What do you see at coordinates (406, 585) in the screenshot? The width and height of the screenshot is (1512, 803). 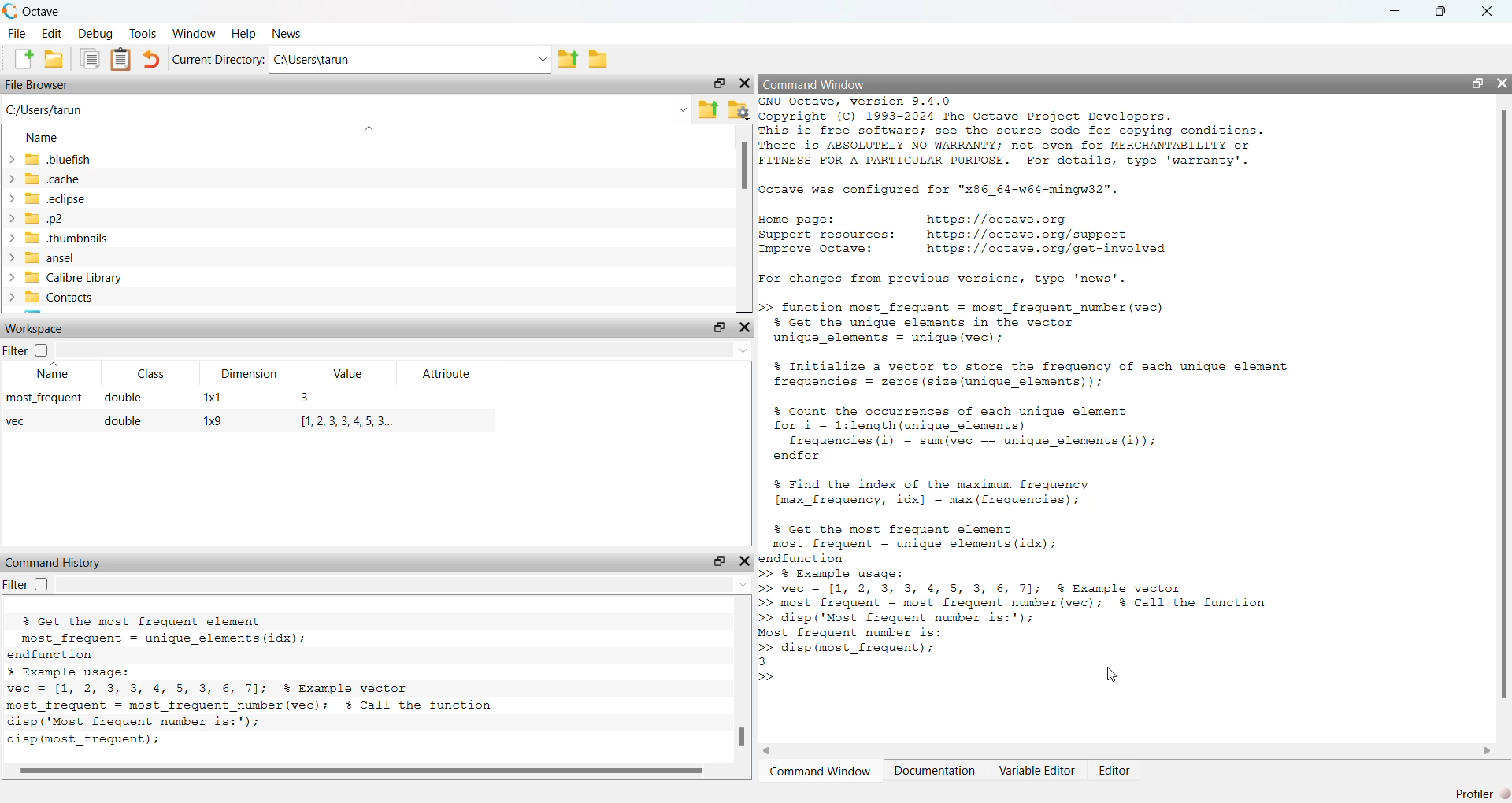 I see `Enter text to filter the command history` at bounding box center [406, 585].